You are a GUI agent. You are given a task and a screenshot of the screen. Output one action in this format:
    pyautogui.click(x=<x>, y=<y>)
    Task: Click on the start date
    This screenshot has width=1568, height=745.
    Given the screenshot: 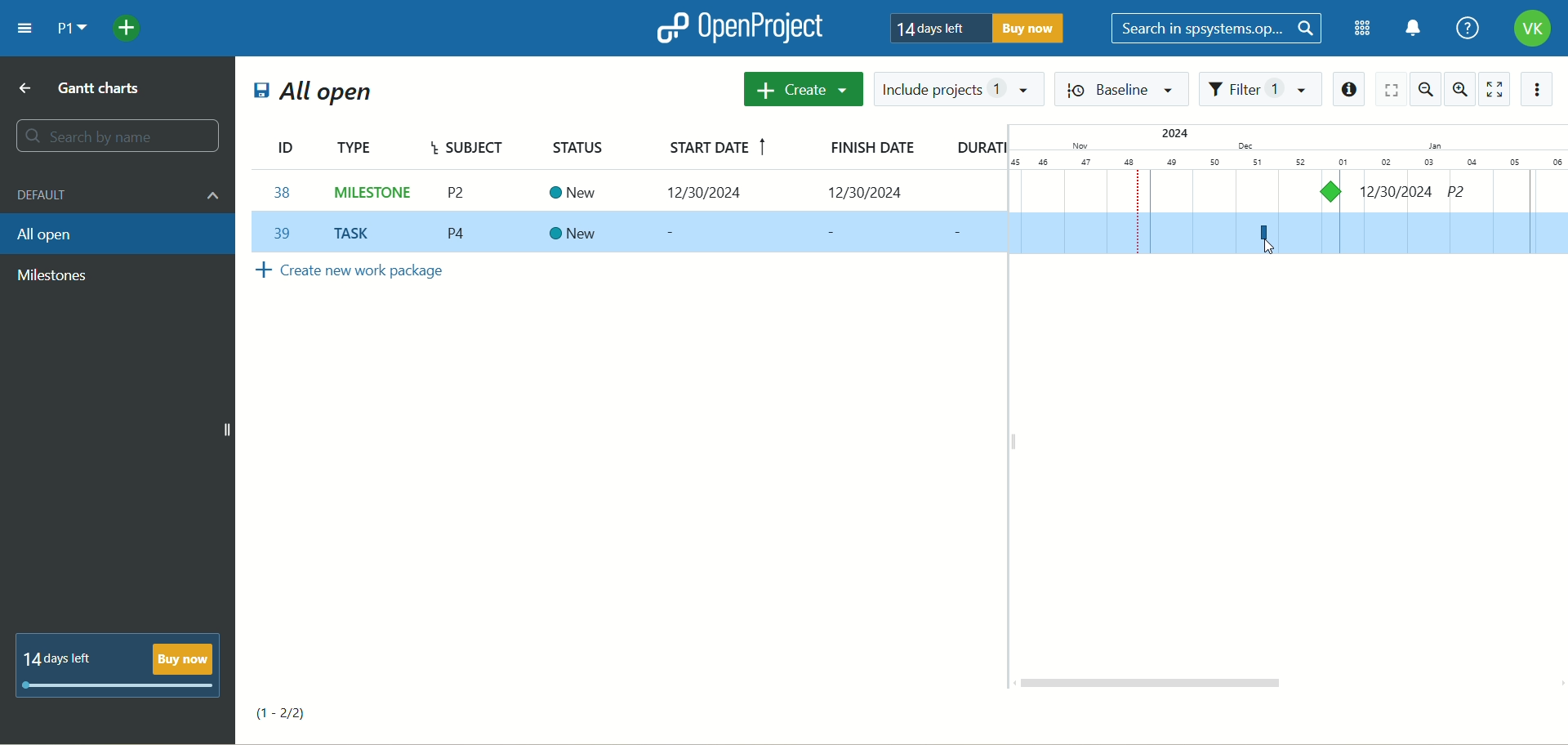 What is the action you would take?
    pyautogui.click(x=716, y=148)
    